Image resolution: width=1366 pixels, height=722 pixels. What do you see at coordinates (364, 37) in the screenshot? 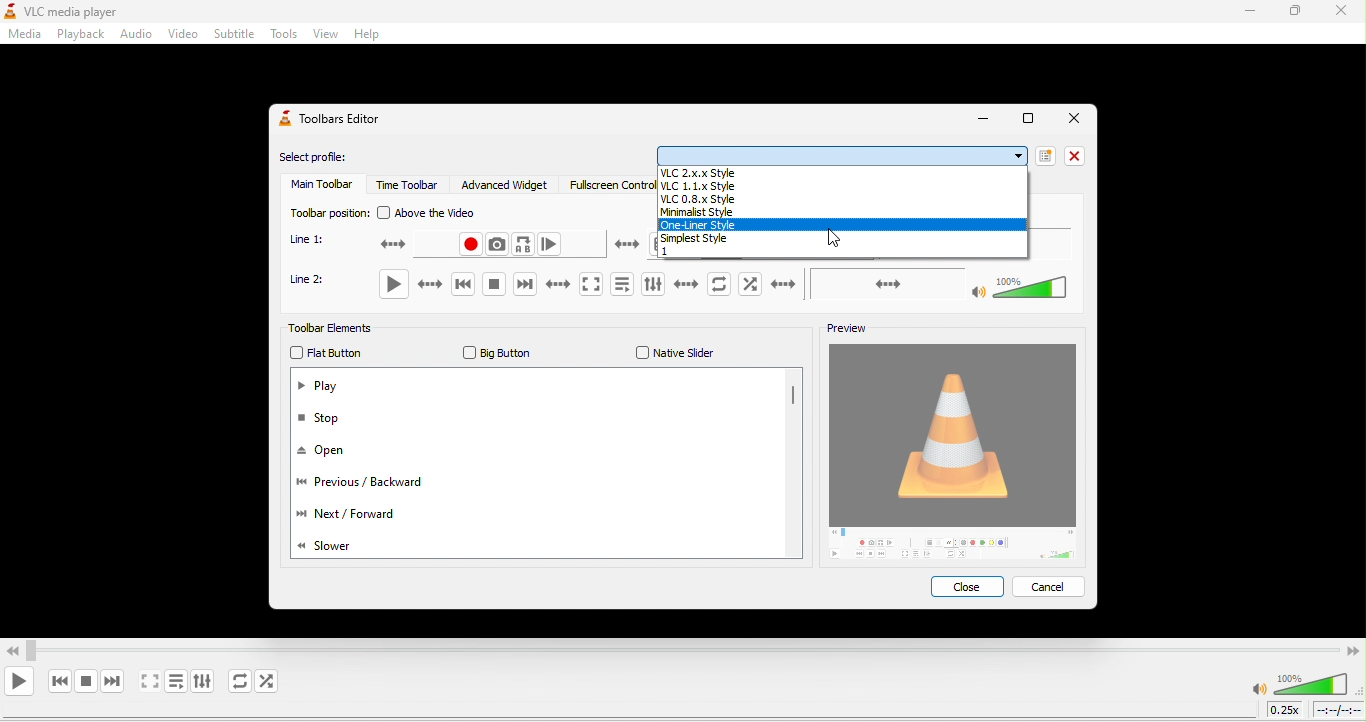
I see `help` at bounding box center [364, 37].